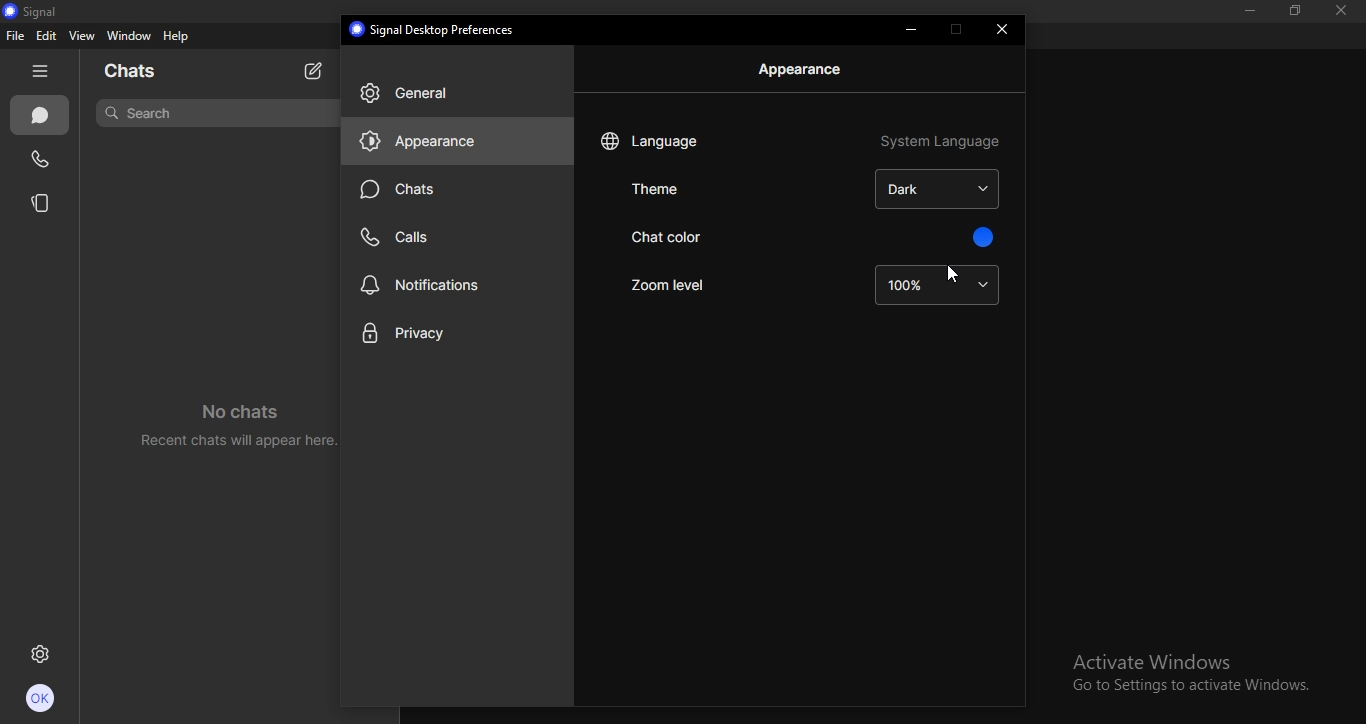  Describe the element at coordinates (1346, 12) in the screenshot. I see `close` at that location.